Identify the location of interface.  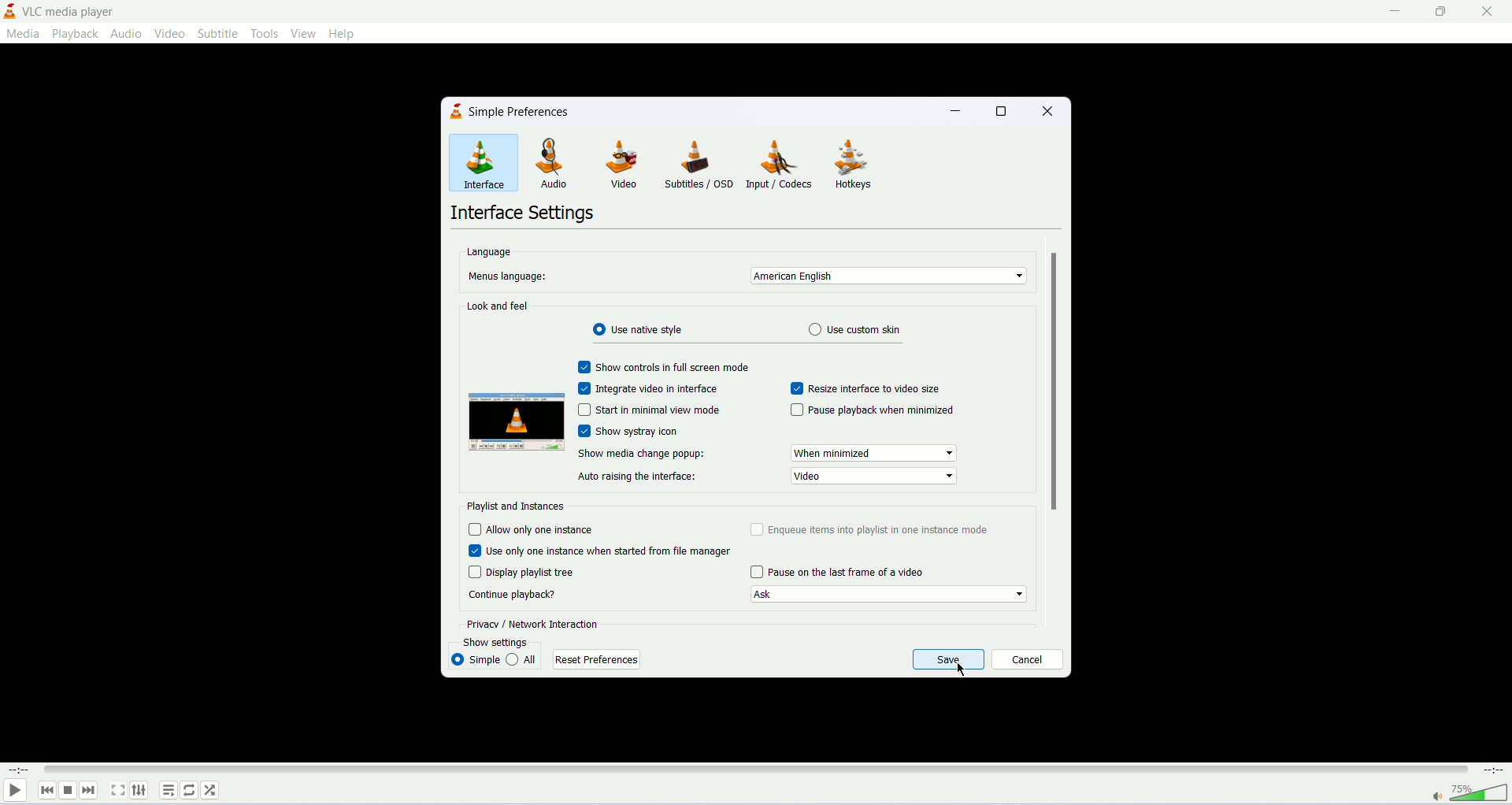
(484, 162).